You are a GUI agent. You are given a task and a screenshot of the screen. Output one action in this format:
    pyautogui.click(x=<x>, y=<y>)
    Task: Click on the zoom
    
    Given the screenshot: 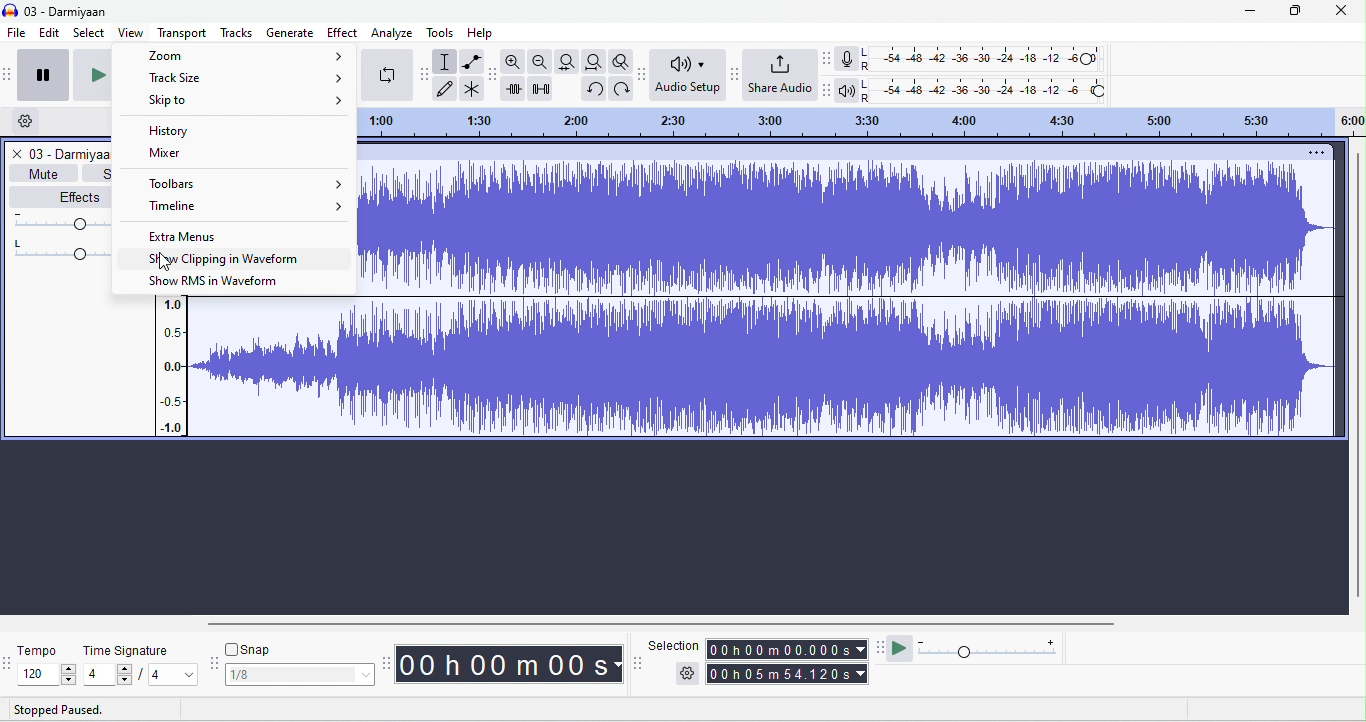 What is the action you would take?
    pyautogui.click(x=242, y=55)
    